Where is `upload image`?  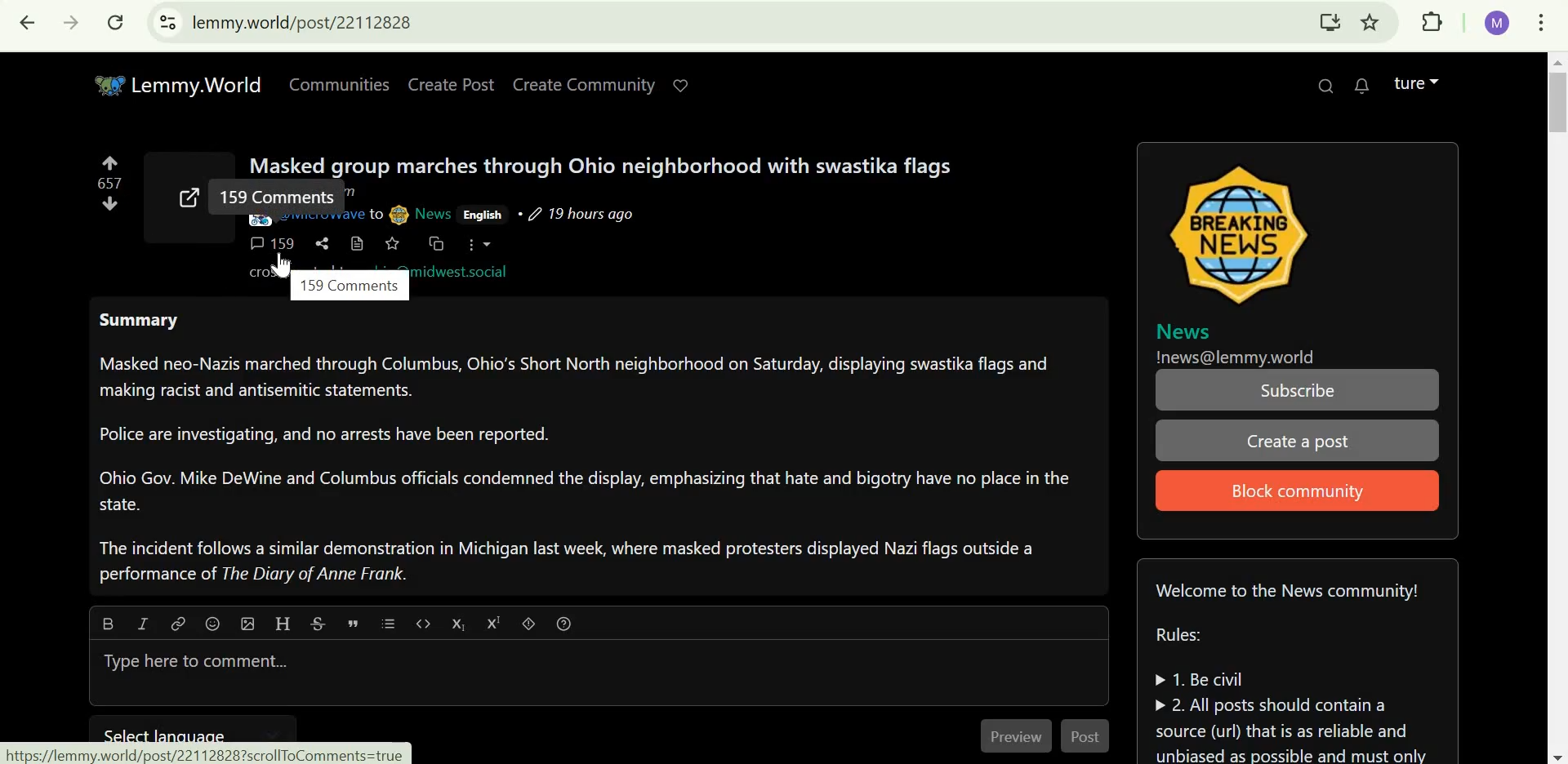
upload image is located at coordinates (247, 622).